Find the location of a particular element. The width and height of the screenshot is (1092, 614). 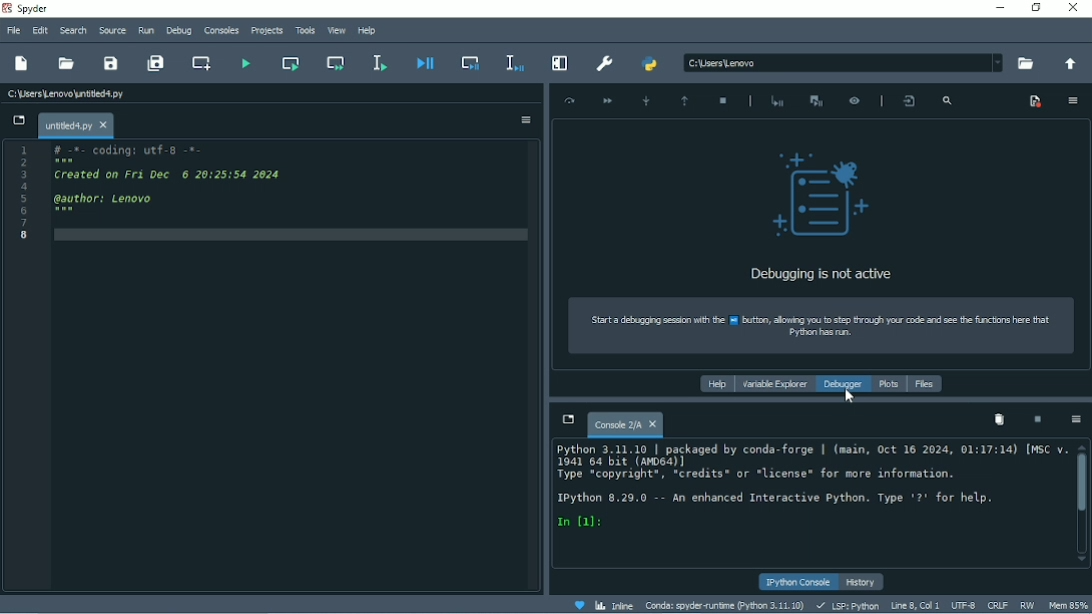

Conda is located at coordinates (723, 604).